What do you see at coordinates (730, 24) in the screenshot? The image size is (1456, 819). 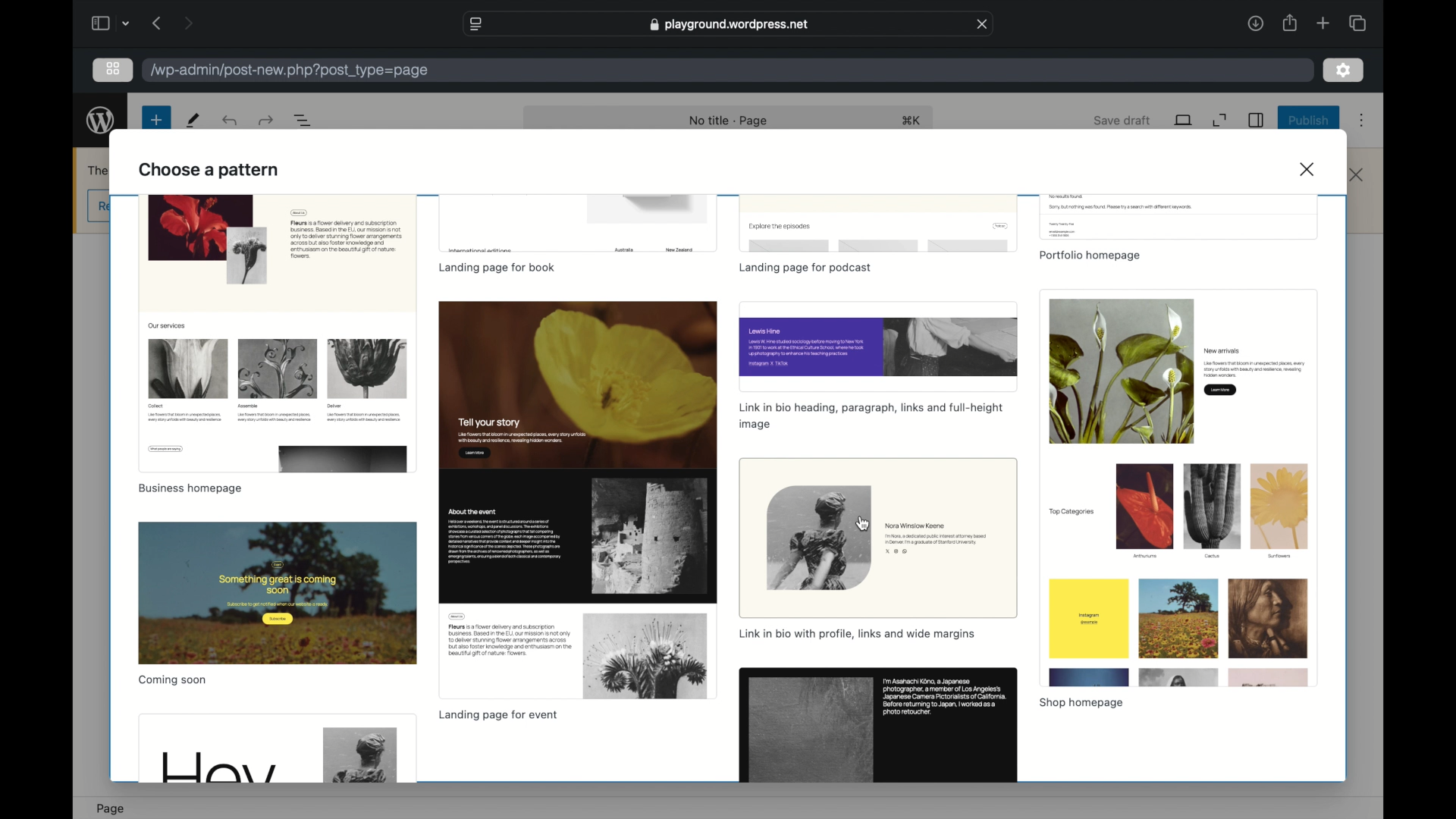 I see `web address` at bounding box center [730, 24].